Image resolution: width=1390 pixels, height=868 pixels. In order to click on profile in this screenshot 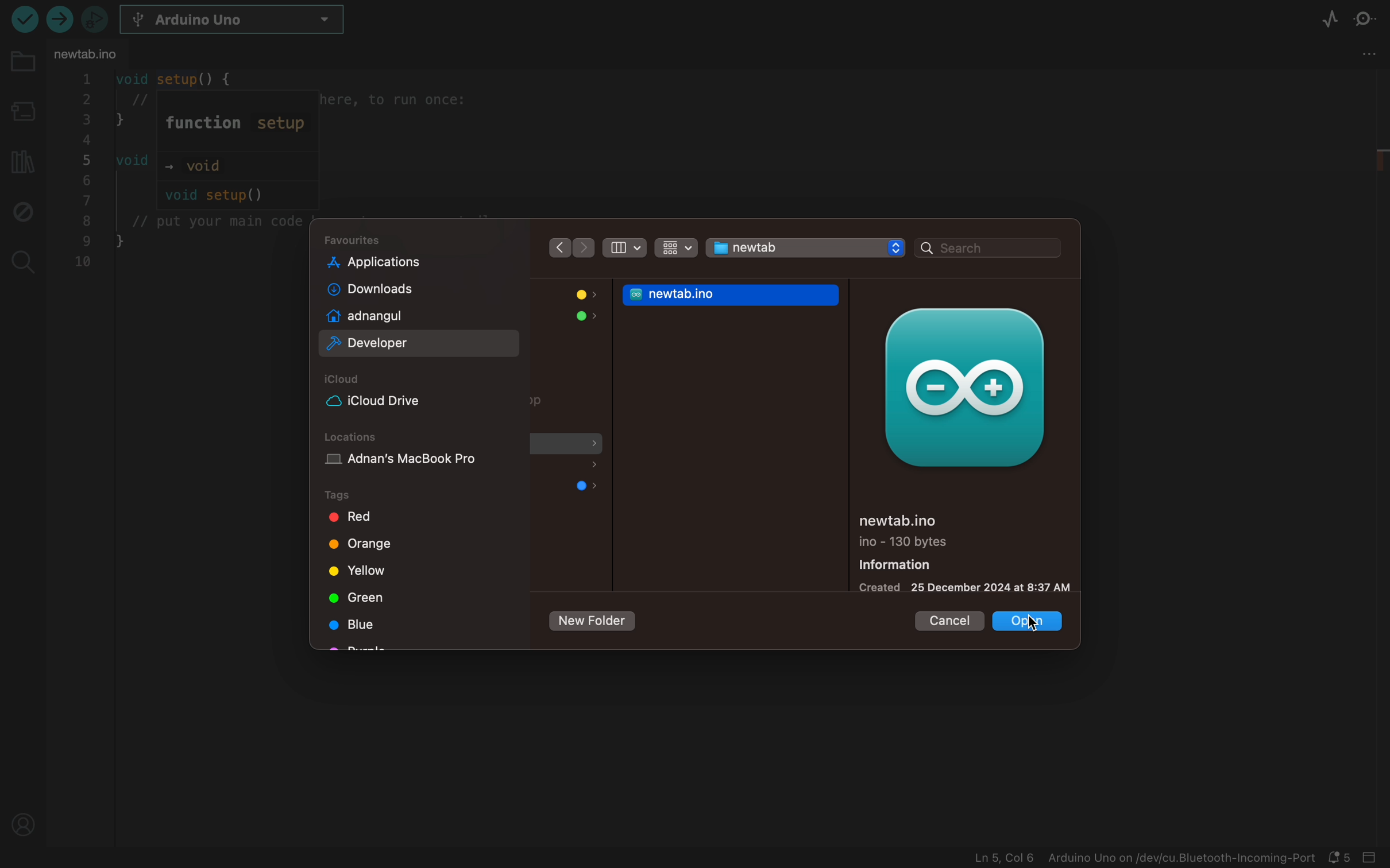, I will do `click(25, 821)`.